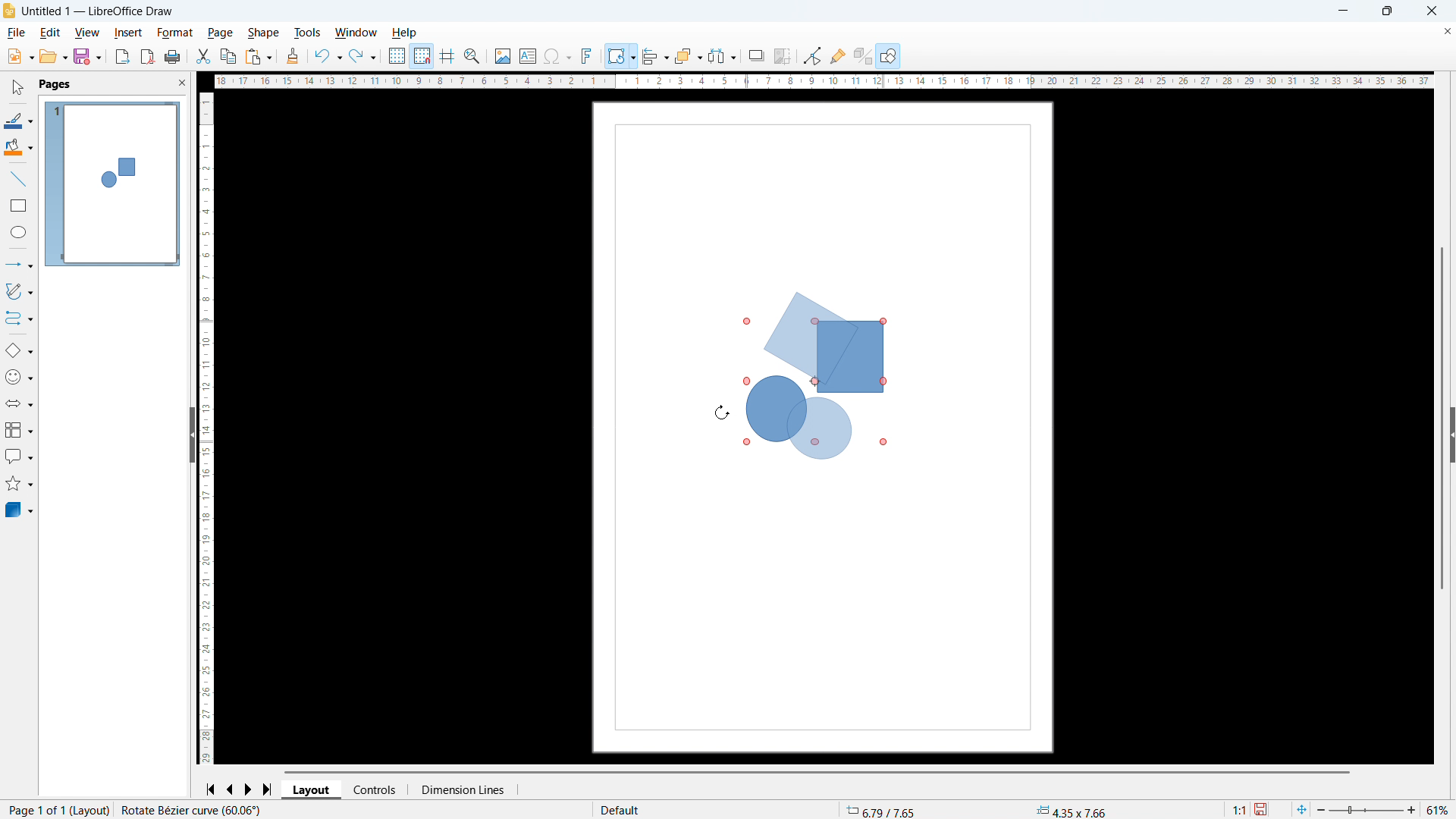 This screenshot has width=1456, height=819. I want to click on Arrange , so click(689, 55).